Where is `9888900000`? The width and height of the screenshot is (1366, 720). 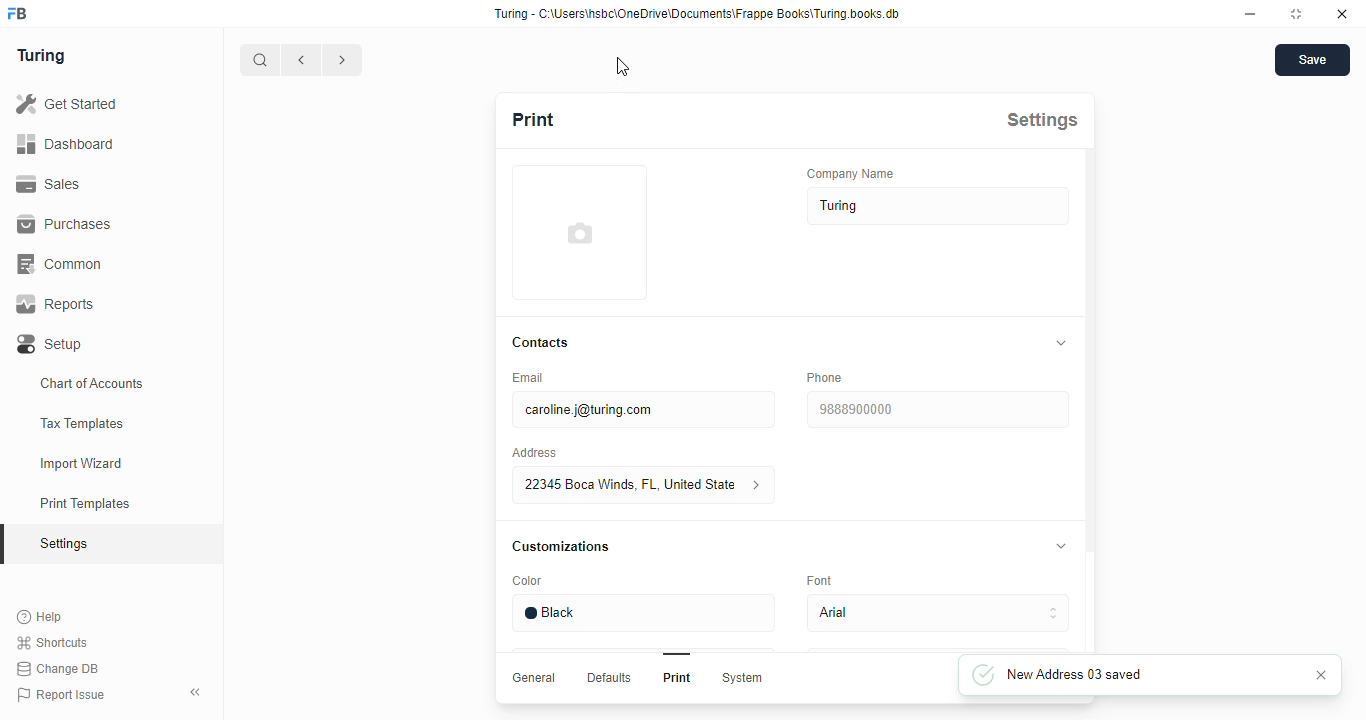 9888900000 is located at coordinates (938, 409).